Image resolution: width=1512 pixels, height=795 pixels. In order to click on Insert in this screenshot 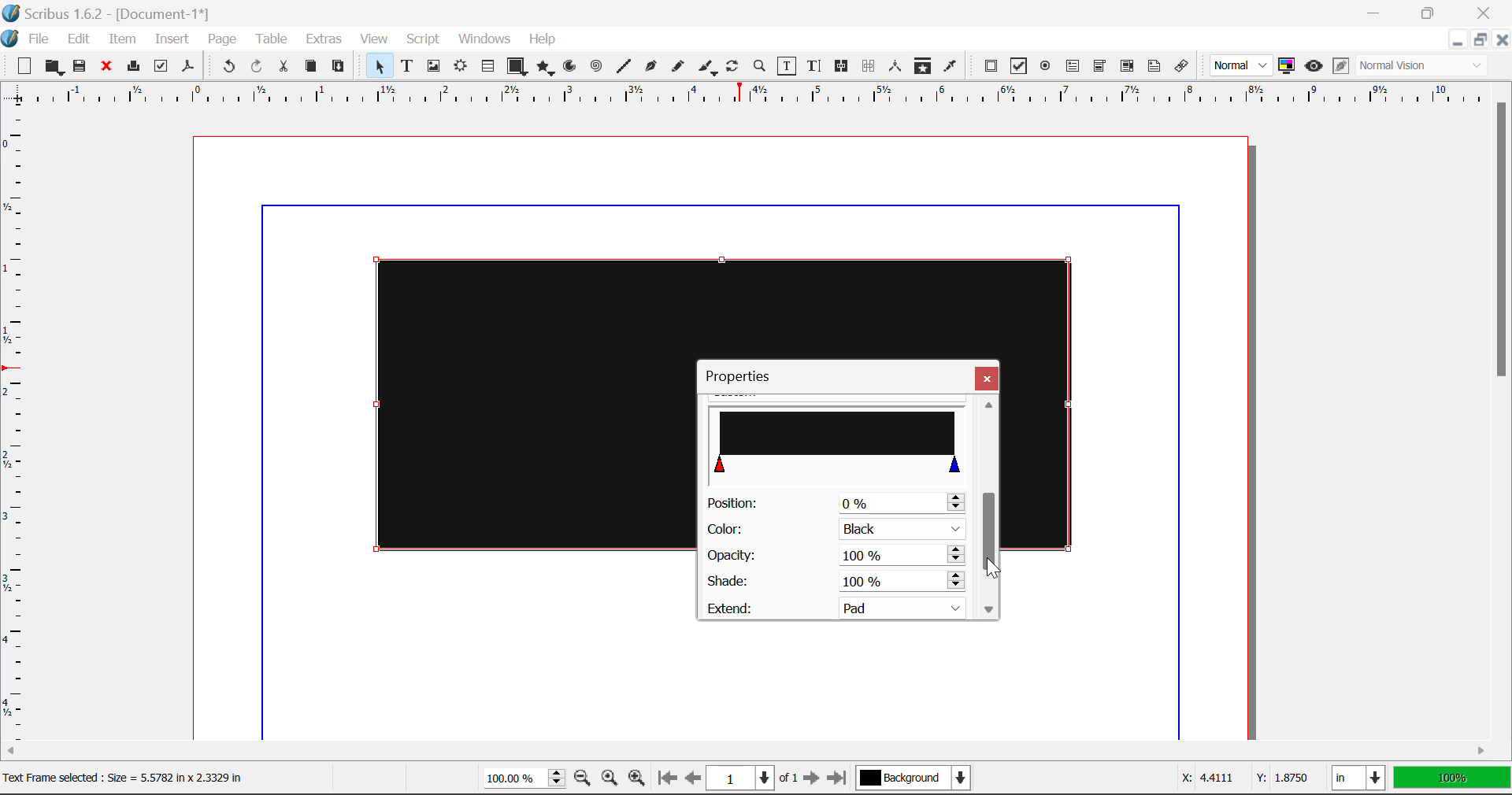, I will do `click(170, 42)`.